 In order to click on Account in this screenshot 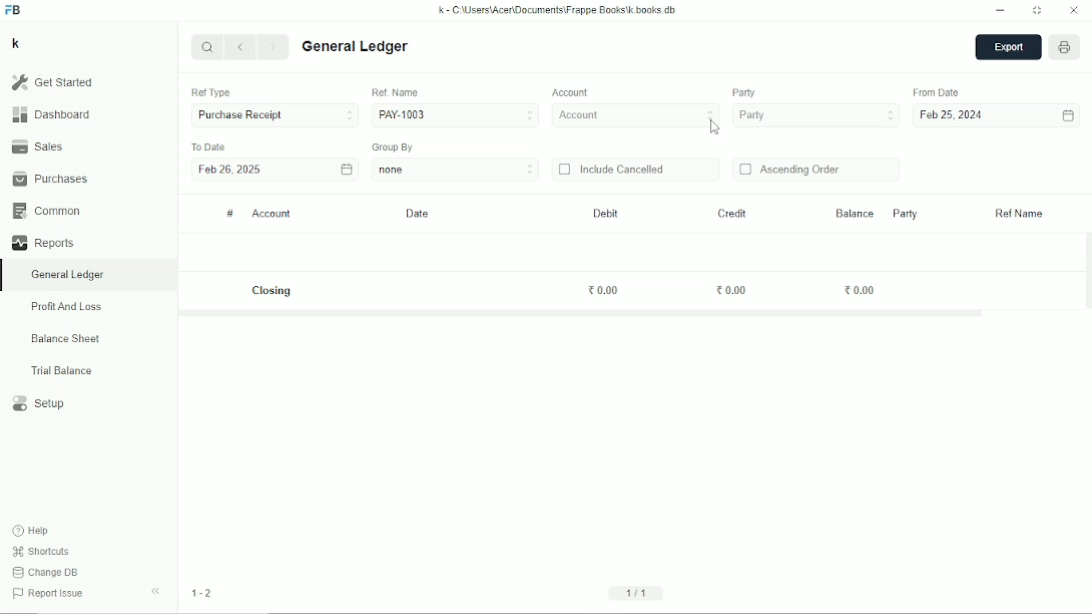, I will do `click(637, 116)`.